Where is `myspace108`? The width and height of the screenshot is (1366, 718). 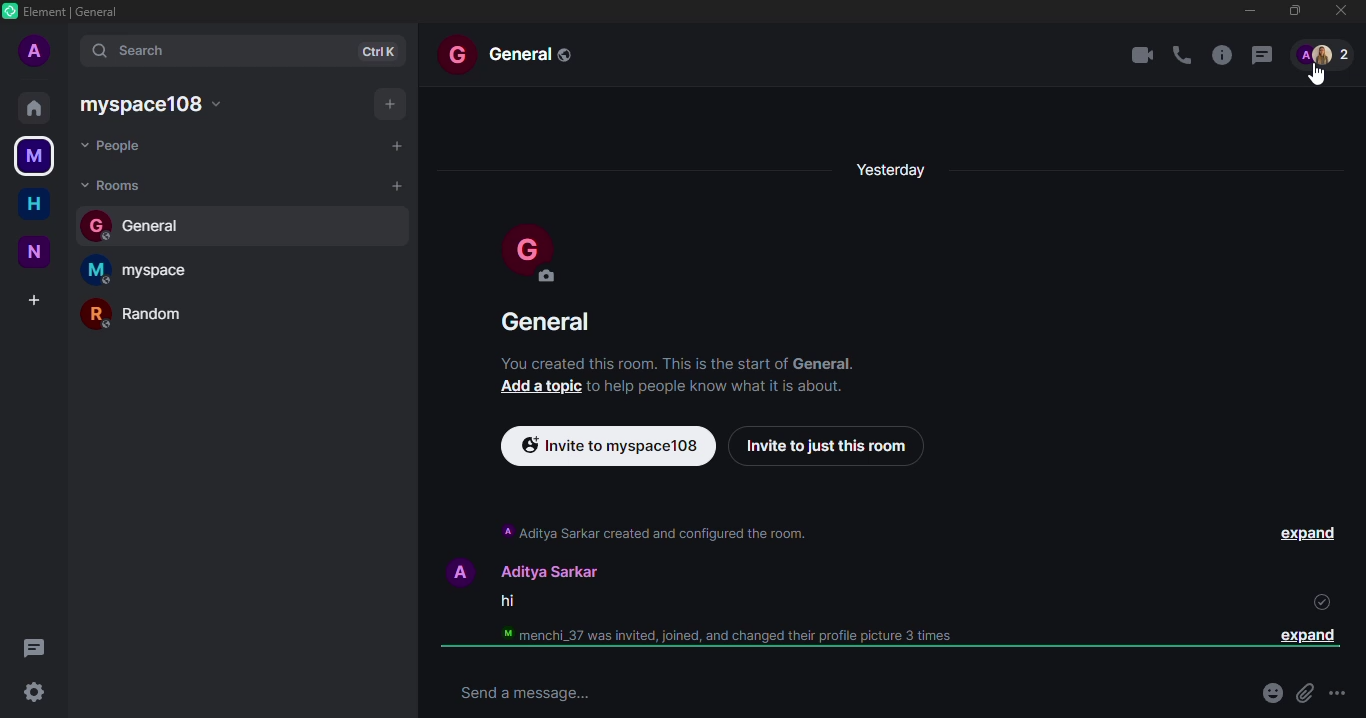
myspace108 is located at coordinates (156, 103).